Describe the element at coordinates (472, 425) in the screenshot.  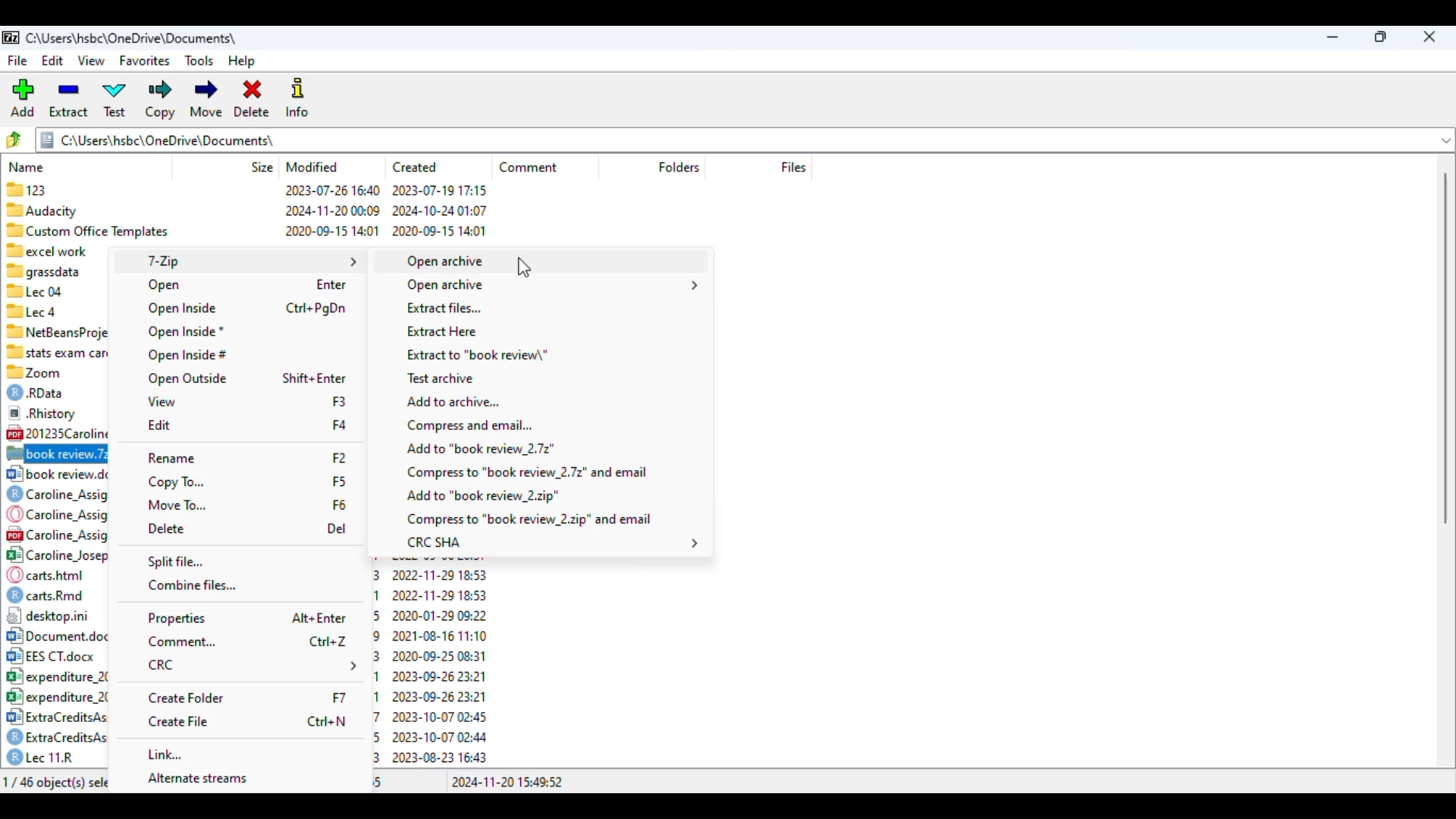
I see `compress and email` at that location.